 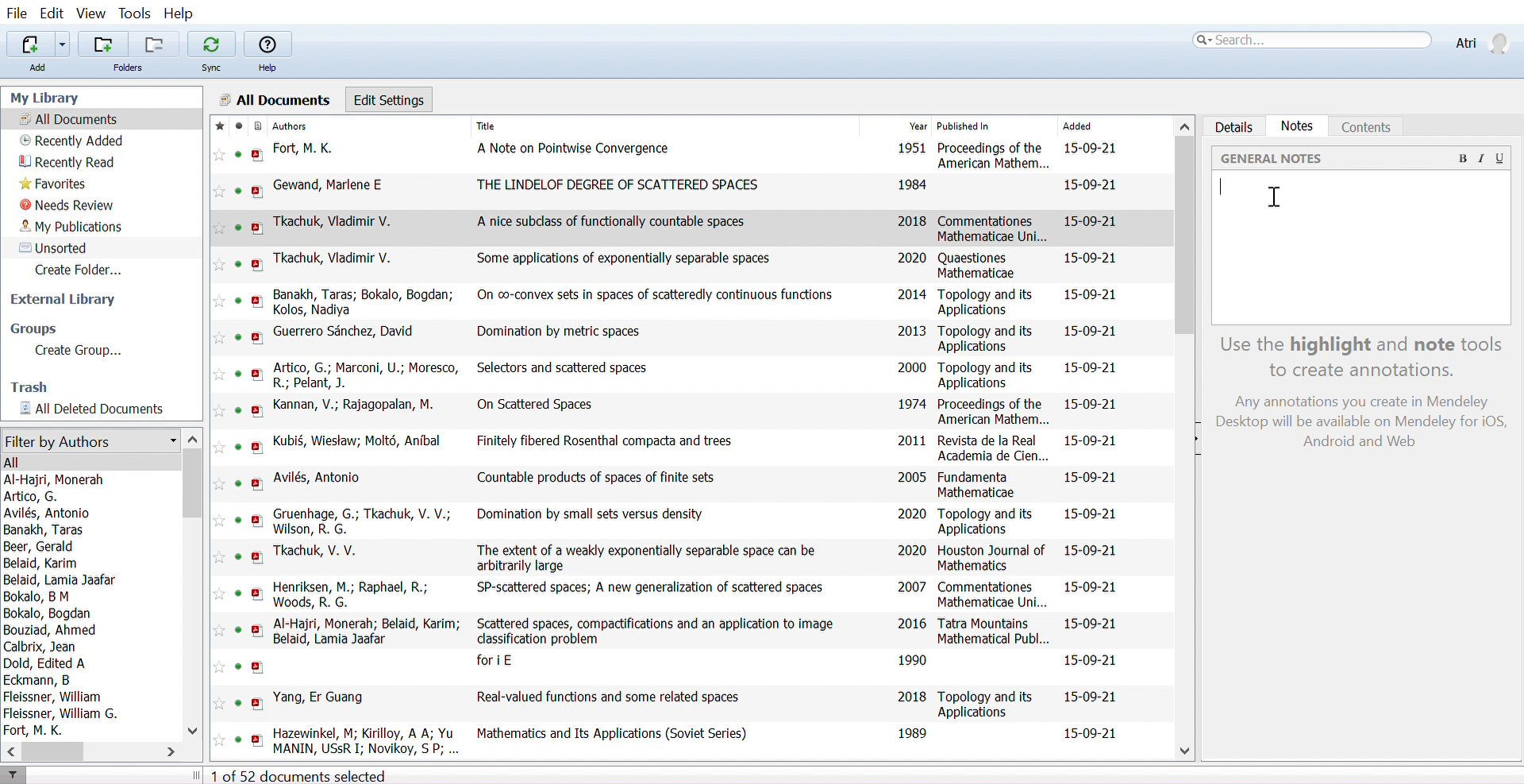 What do you see at coordinates (308, 148) in the screenshot?
I see `Fort, M. K.` at bounding box center [308, 148].